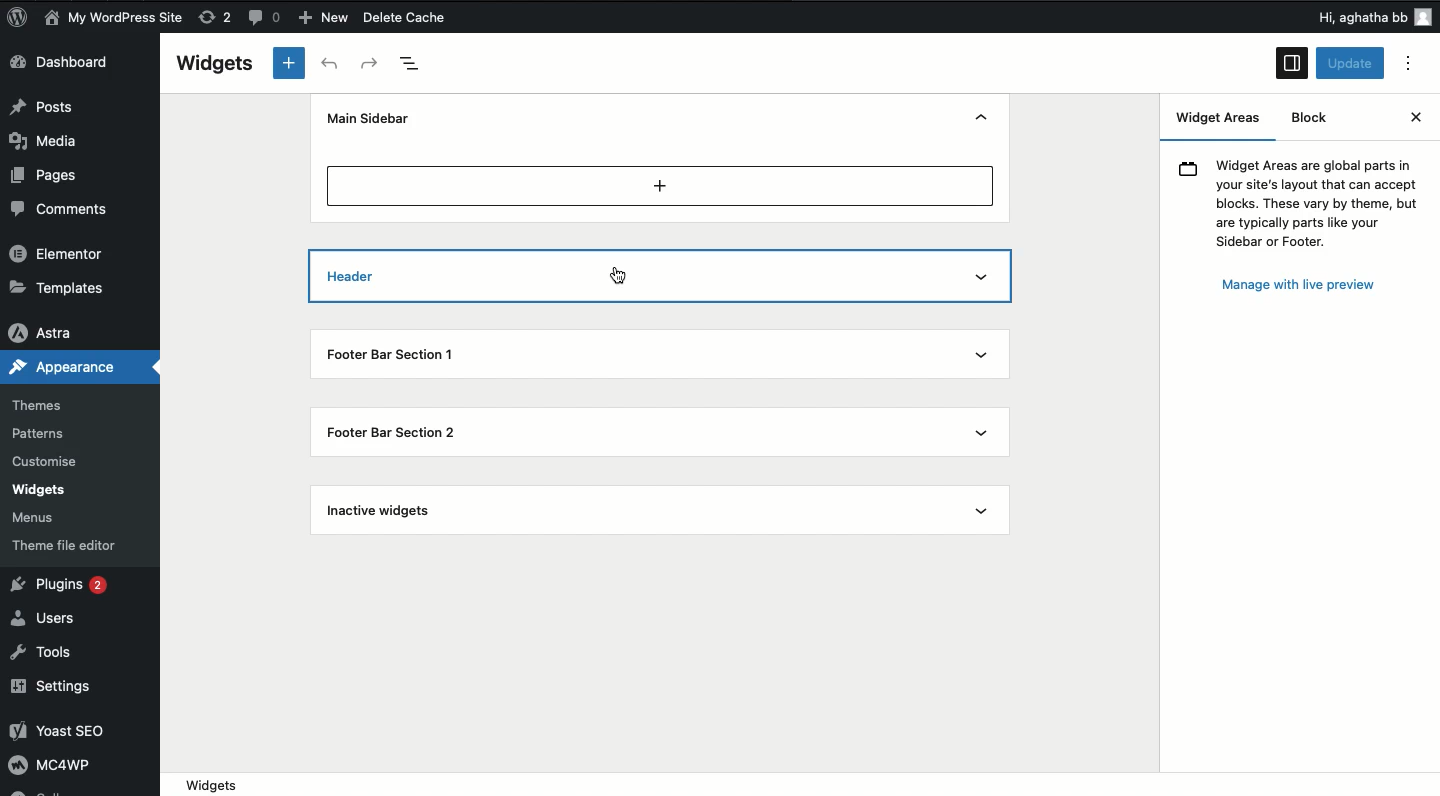 This screenshot has width=1440, height=796. I want to click on Sidebar, so click(1291, 64).